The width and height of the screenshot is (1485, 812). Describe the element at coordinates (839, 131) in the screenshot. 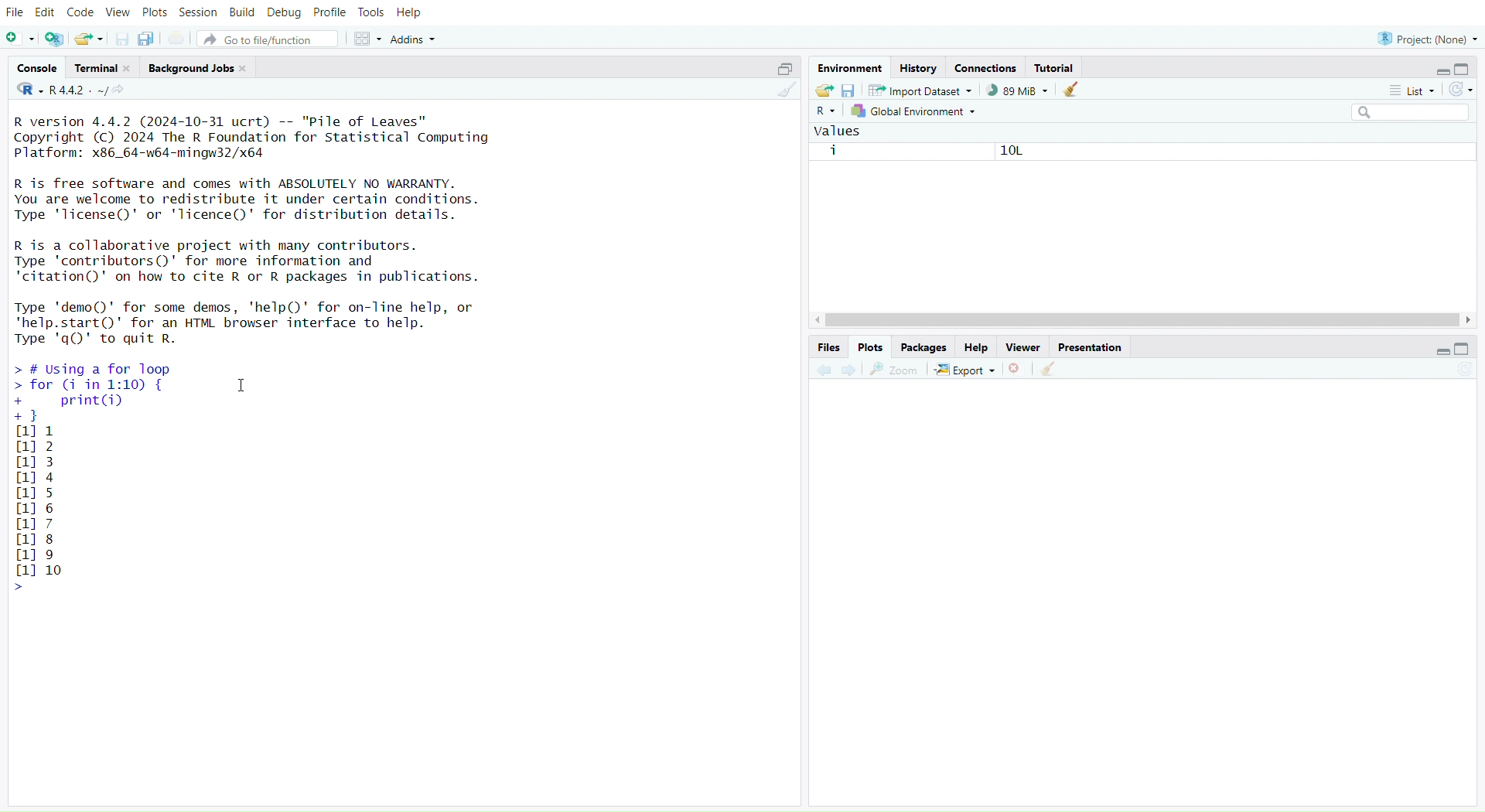

I see `values` at that location.